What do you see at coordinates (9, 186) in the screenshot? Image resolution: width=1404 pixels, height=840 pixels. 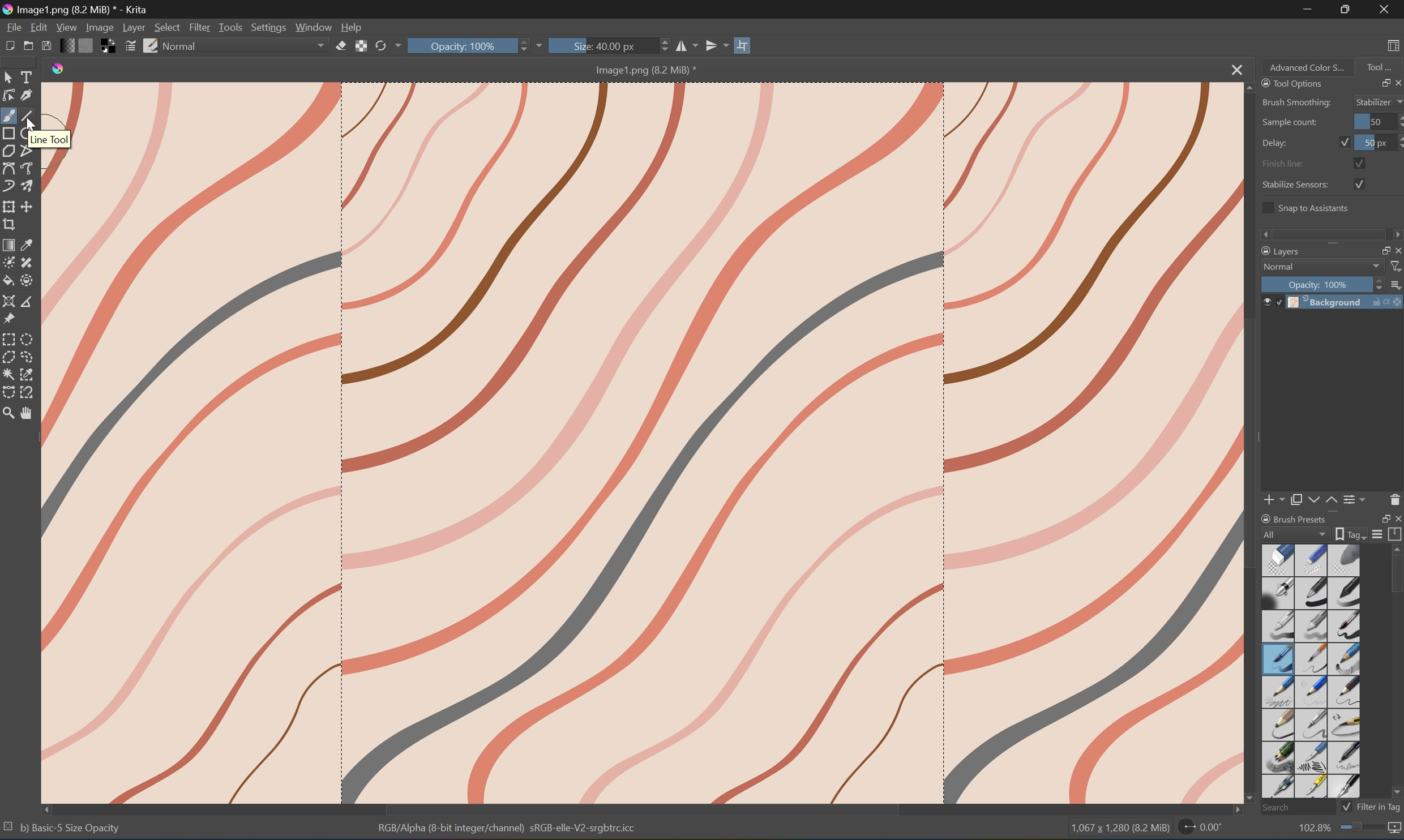 I see `Dynamic brush tool` at bounding box center [9, 186].